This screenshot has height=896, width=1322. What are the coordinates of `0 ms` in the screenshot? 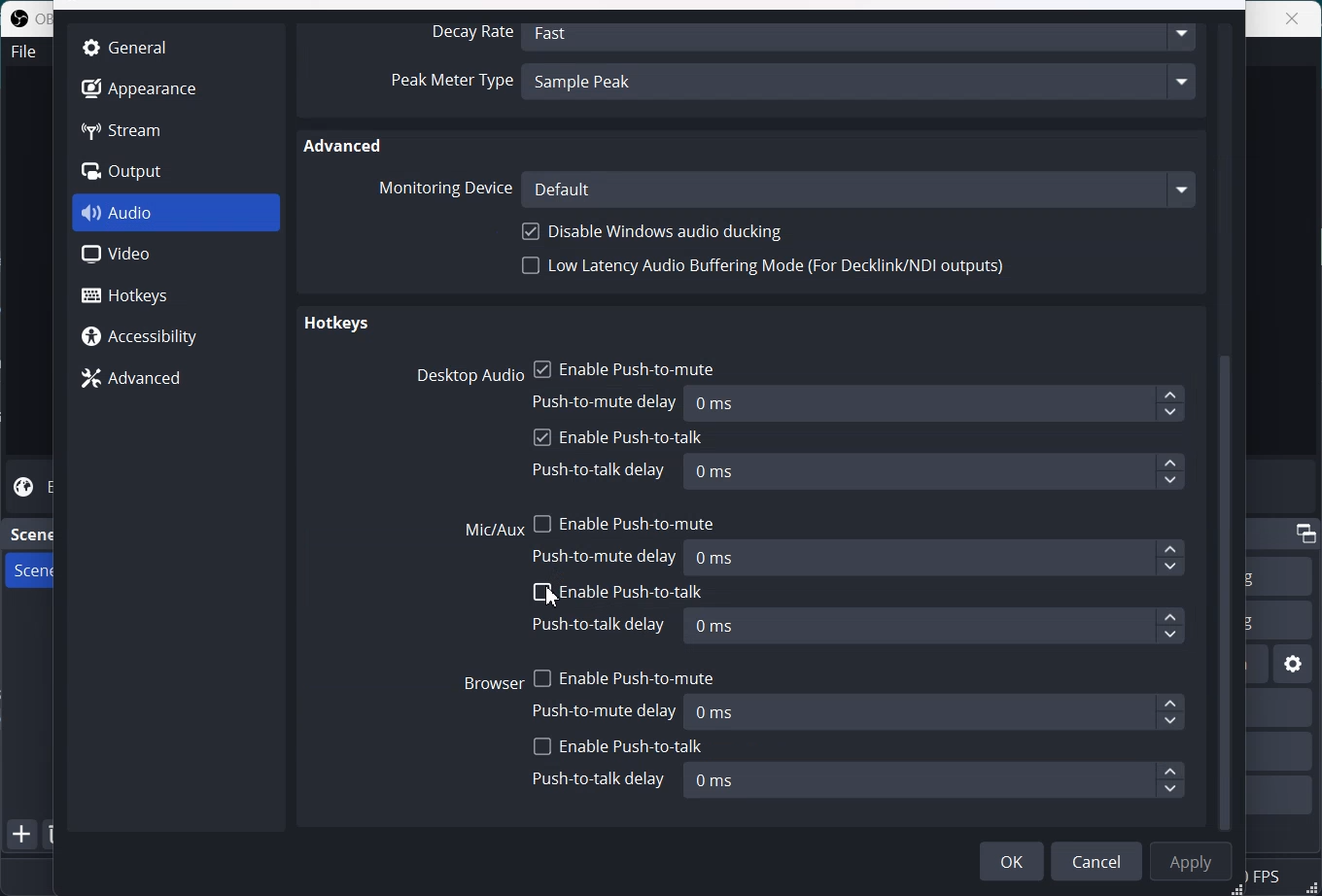 It's located at (938, 557).